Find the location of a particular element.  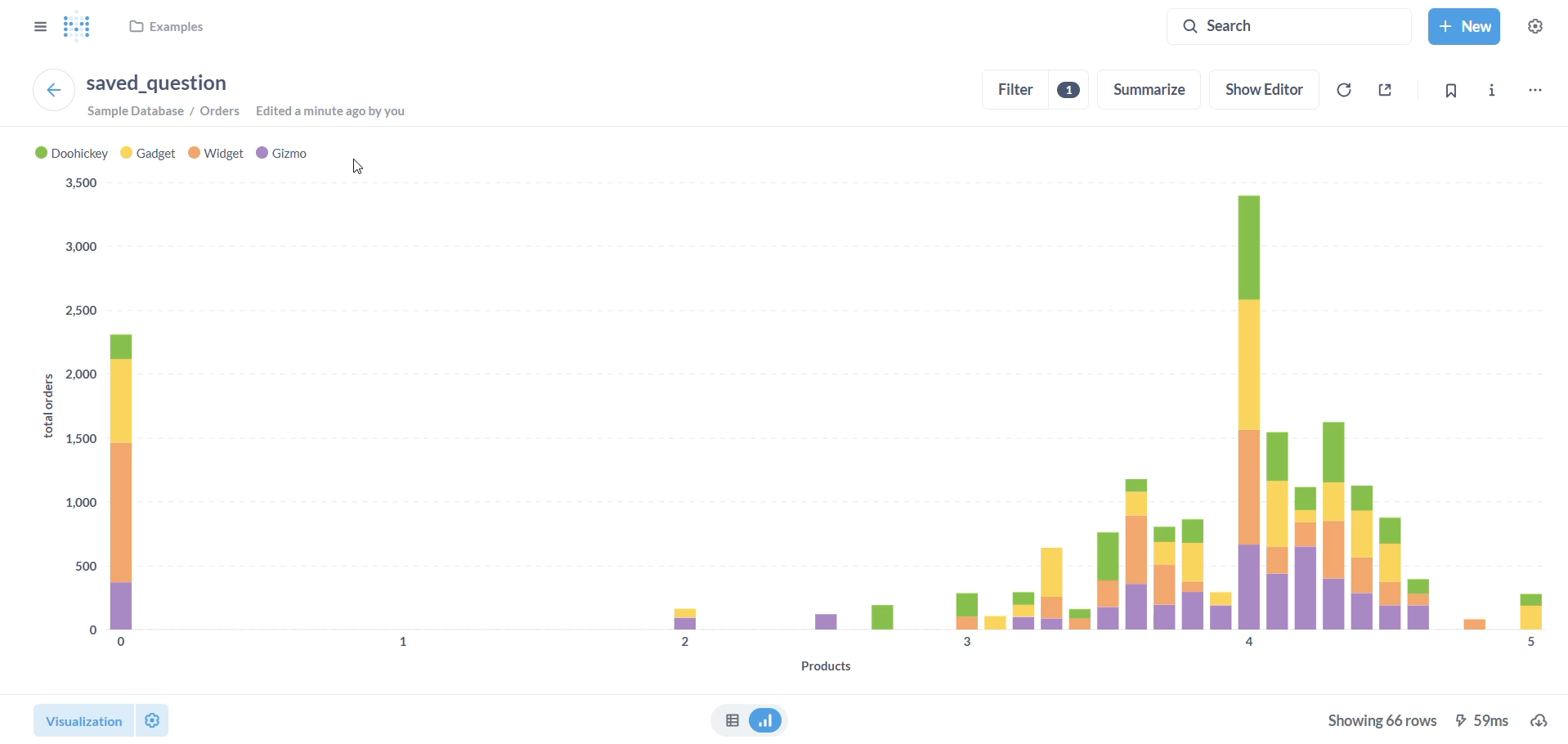

speed is located at coordinates (1481, 721).